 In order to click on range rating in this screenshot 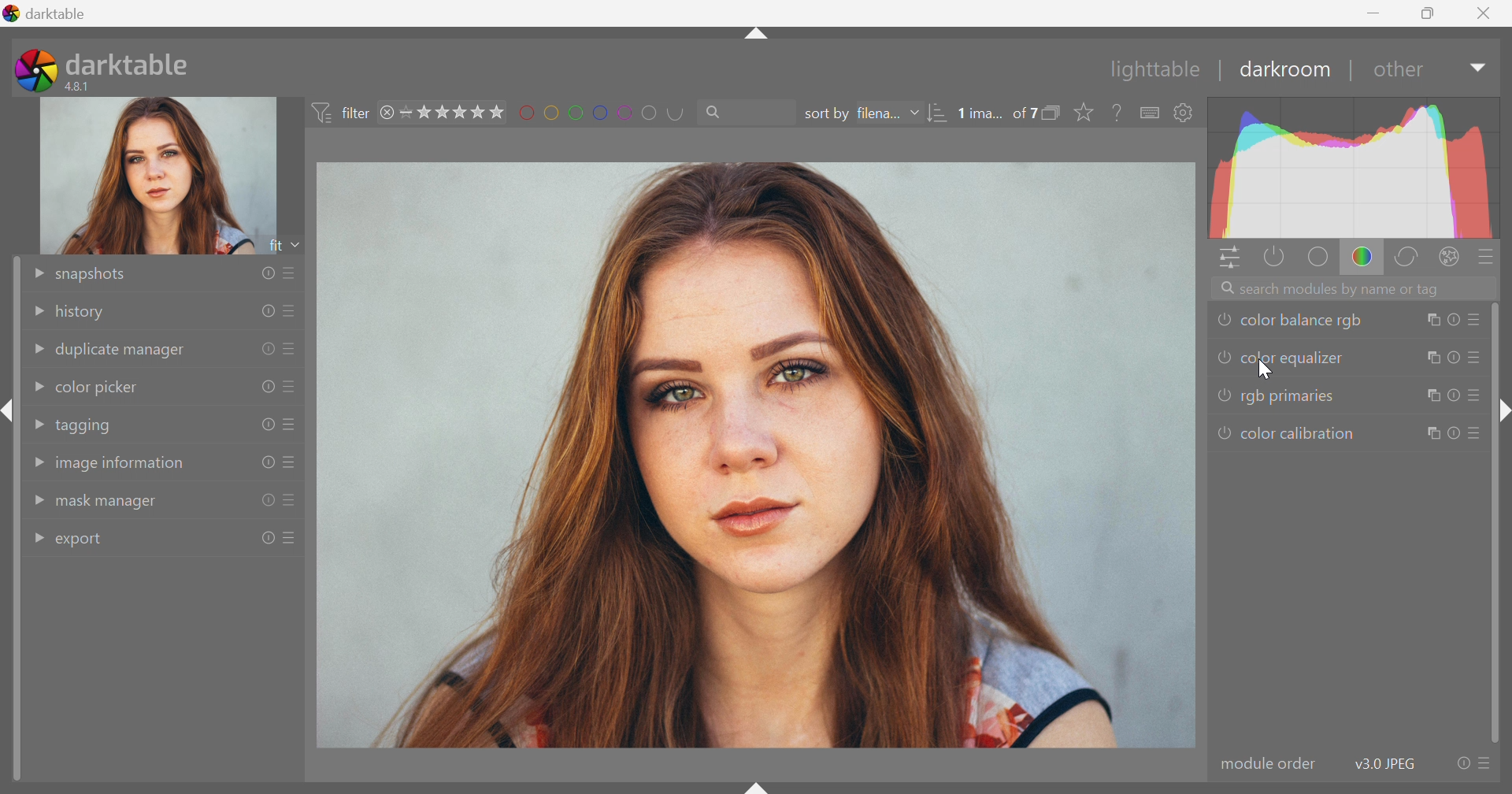, I will do `click(454, 112)`.